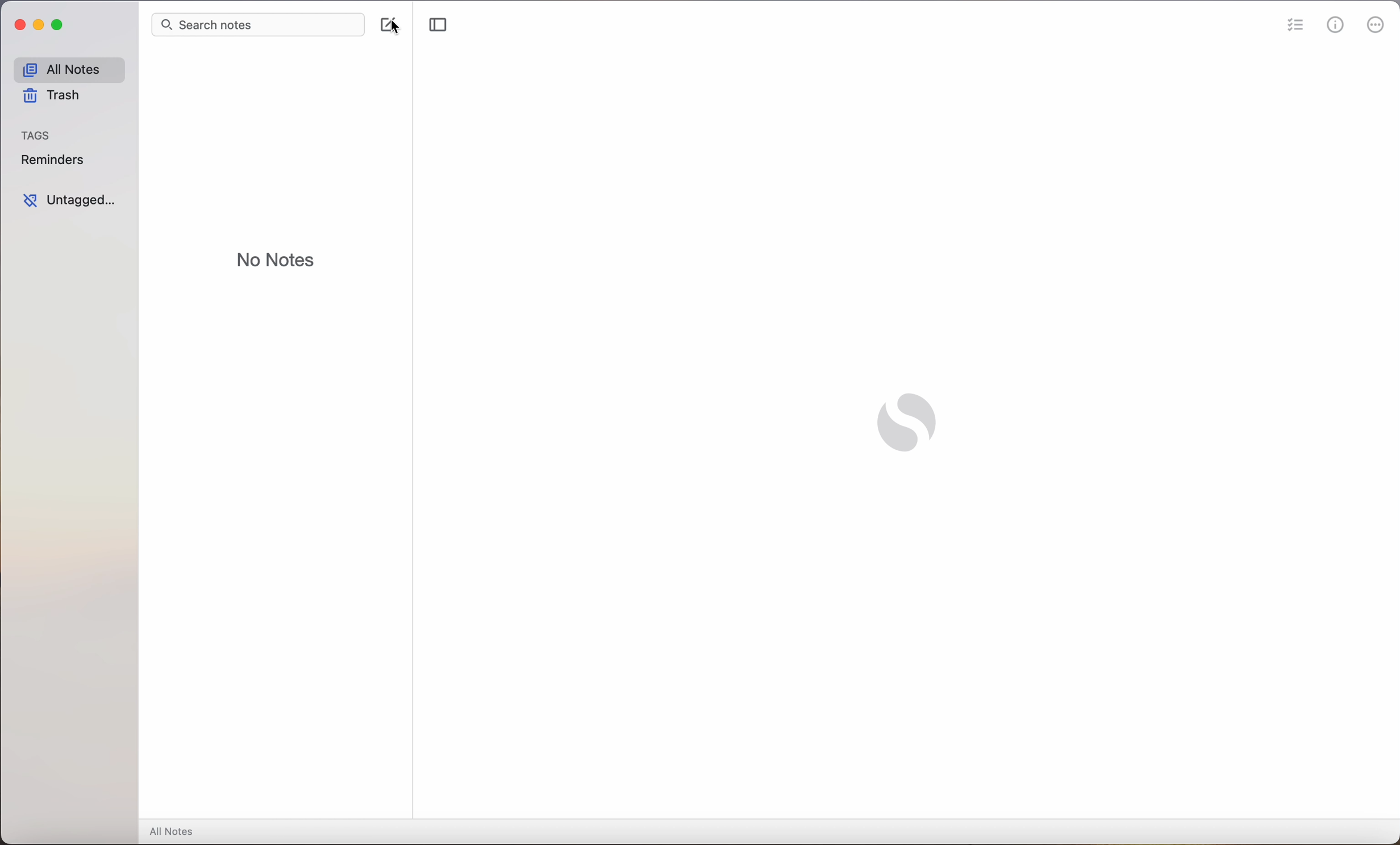 Image resolution: width=1400 pixels, height=845 pixels. Describe the element at coordinates (41, 23) in the screenshot. I see `minimize Simplenote` at that location.